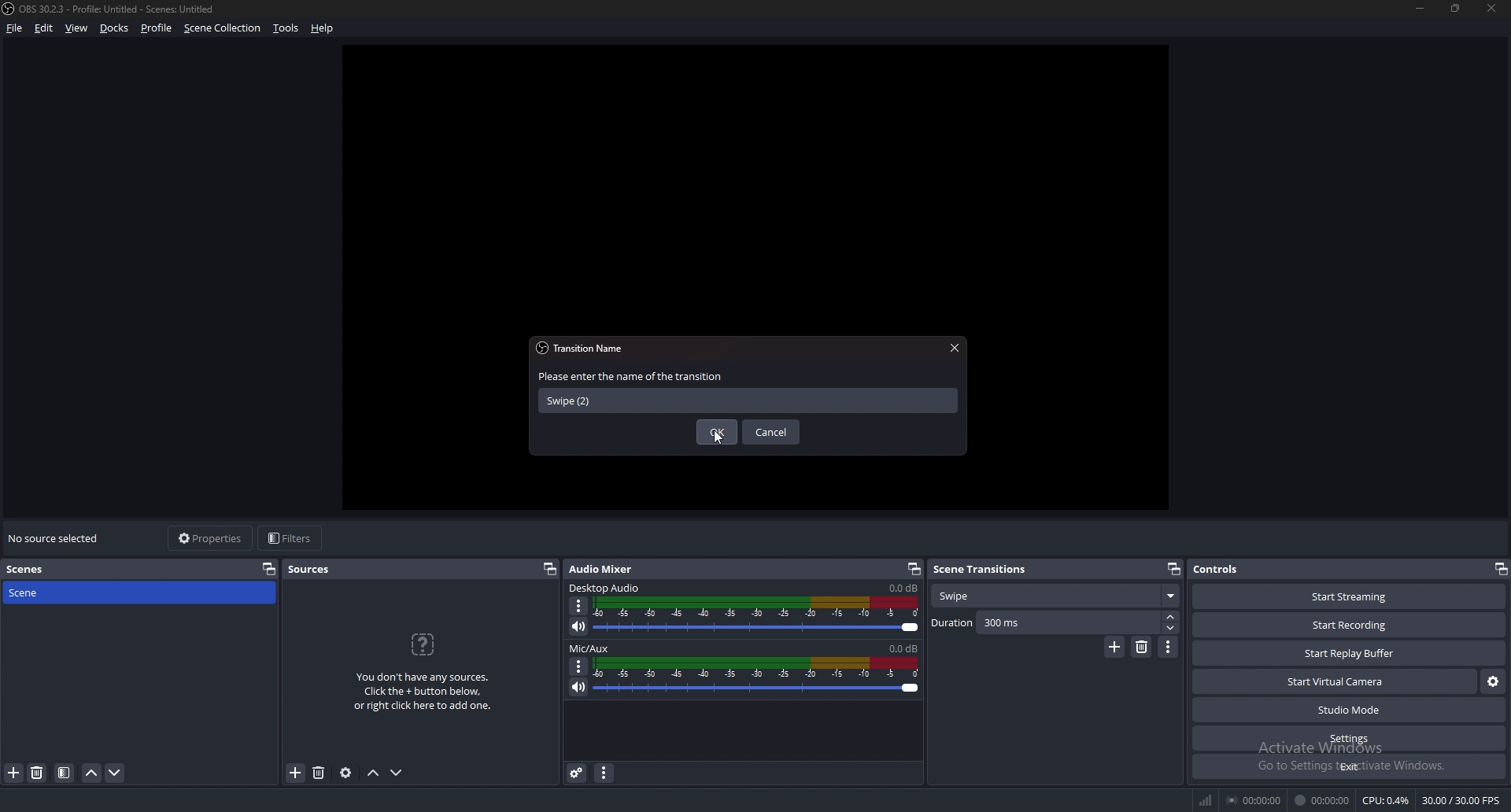 The image size is (1511, 812). I want to click on transition, so click(1056, 595).